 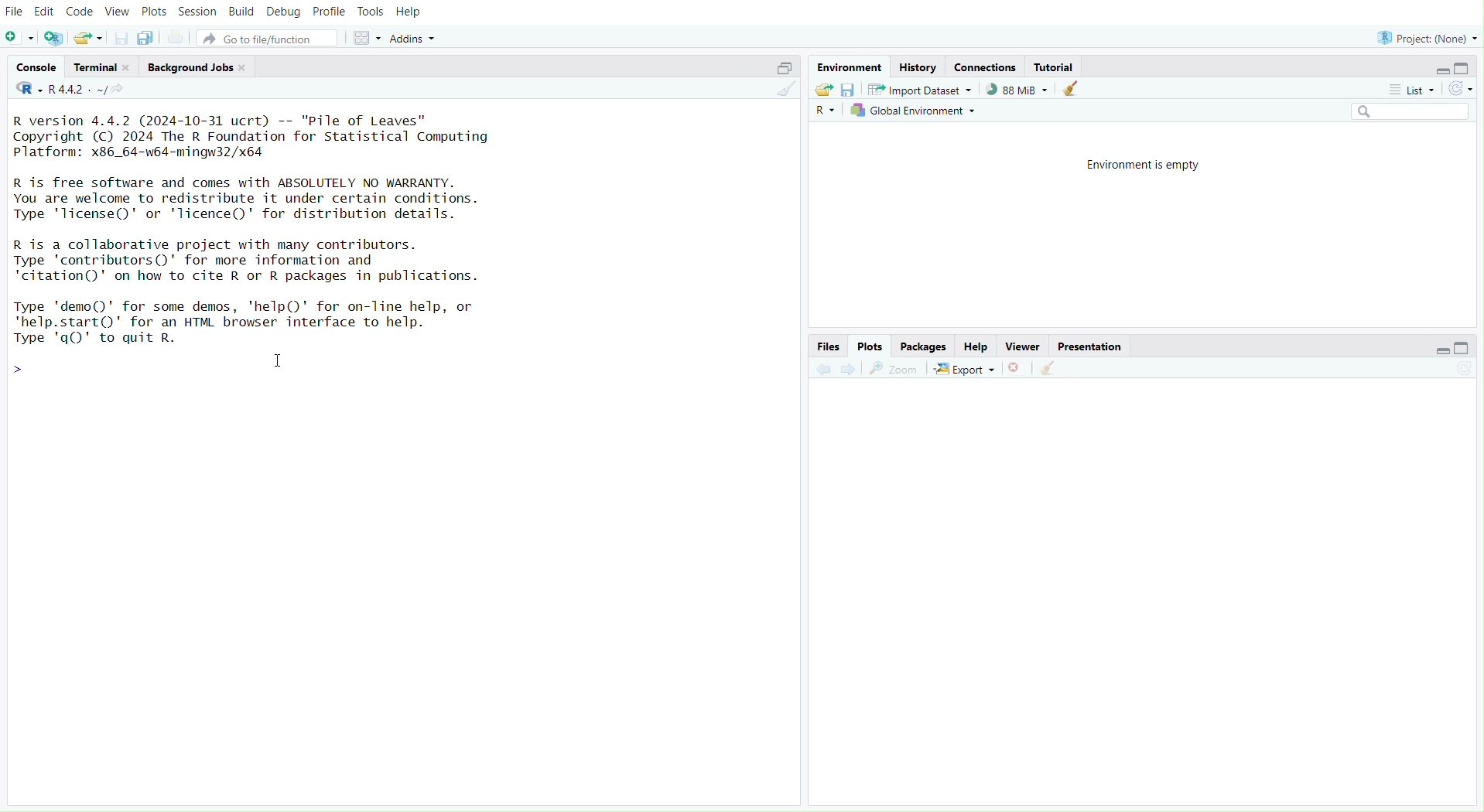 I want to click on Maximize, so click(x=1465, y=68).